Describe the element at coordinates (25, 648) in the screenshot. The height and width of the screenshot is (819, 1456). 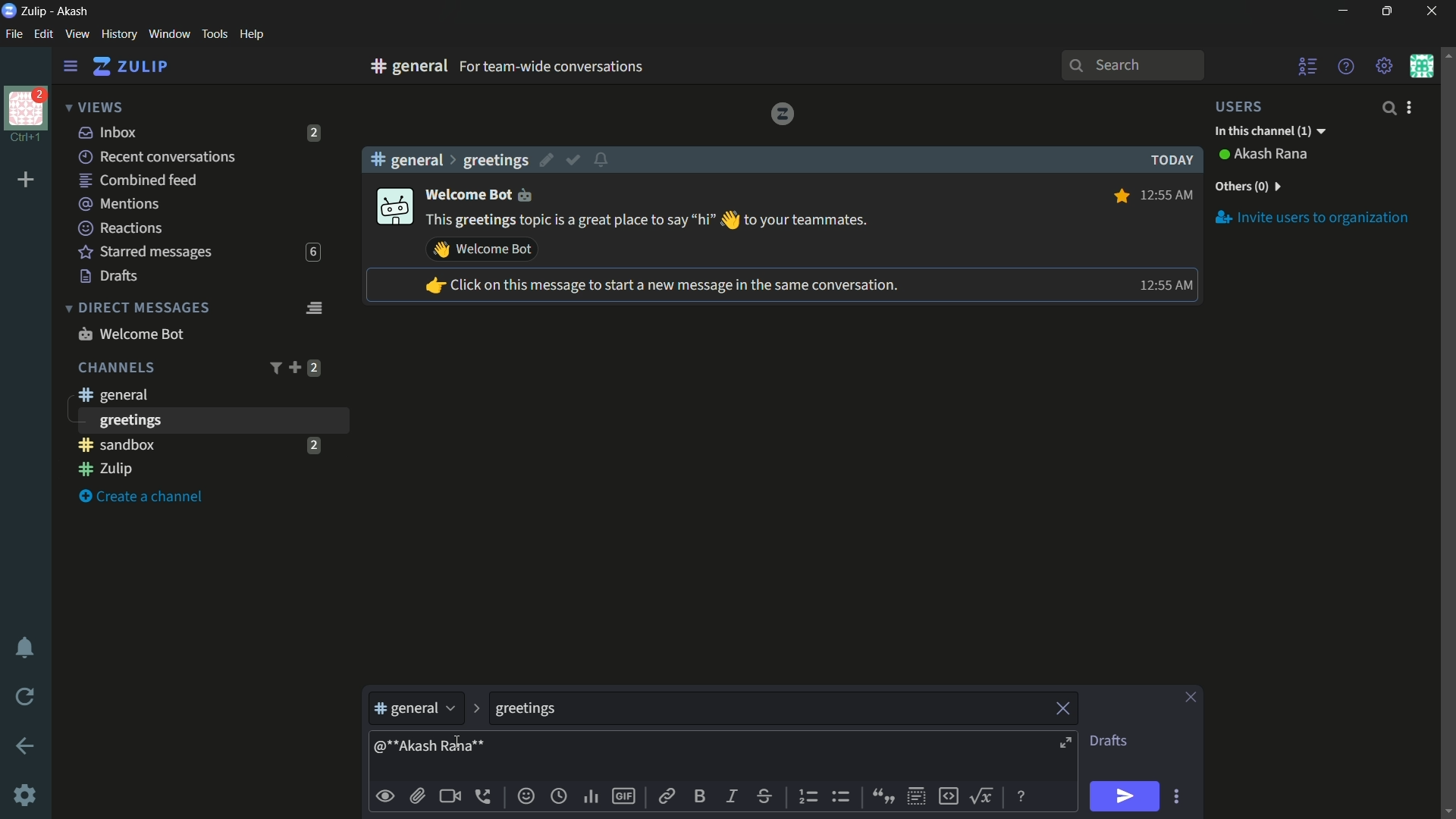
I see `enable DND` at that location.